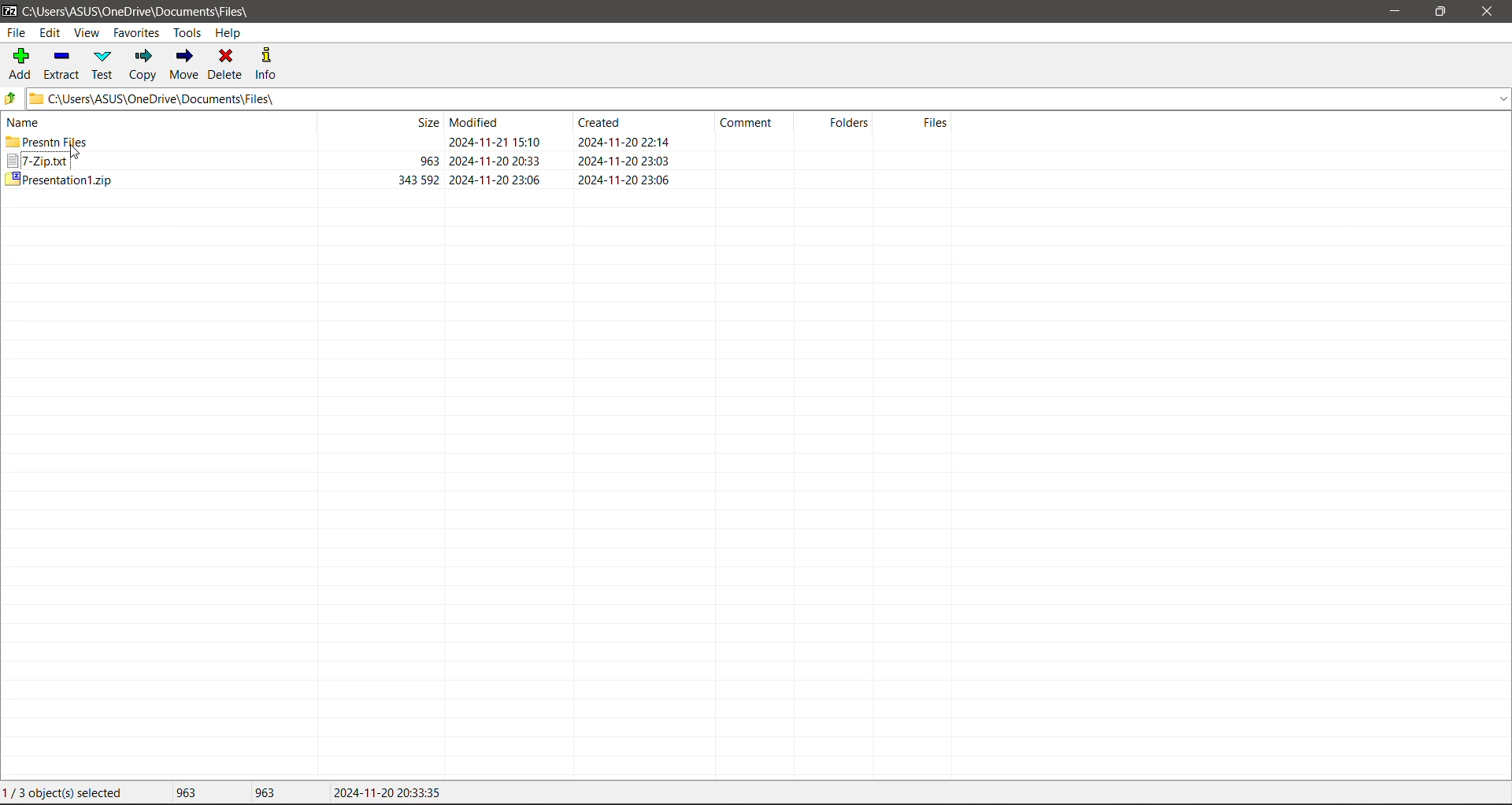  Describe the element at coordinates (135, 32) in the screenshot. I see `Favorites` at that location.